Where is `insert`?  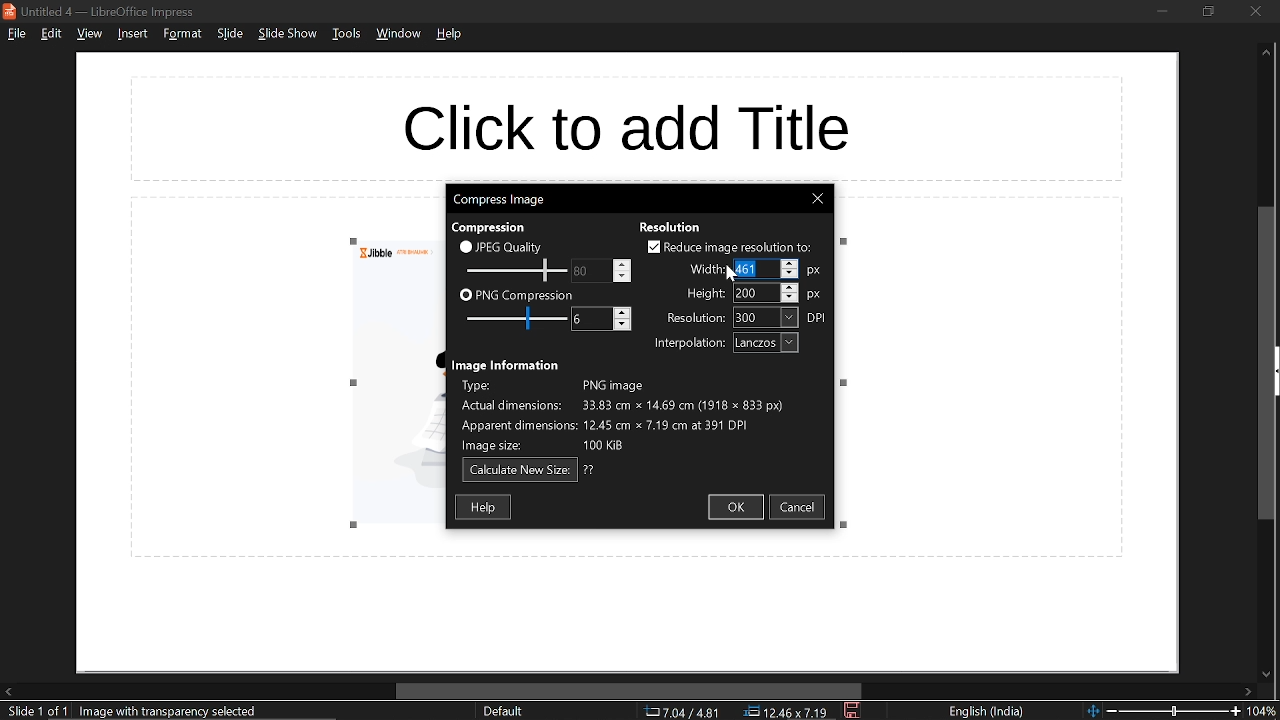
insert is located at coordinates (134, 34).